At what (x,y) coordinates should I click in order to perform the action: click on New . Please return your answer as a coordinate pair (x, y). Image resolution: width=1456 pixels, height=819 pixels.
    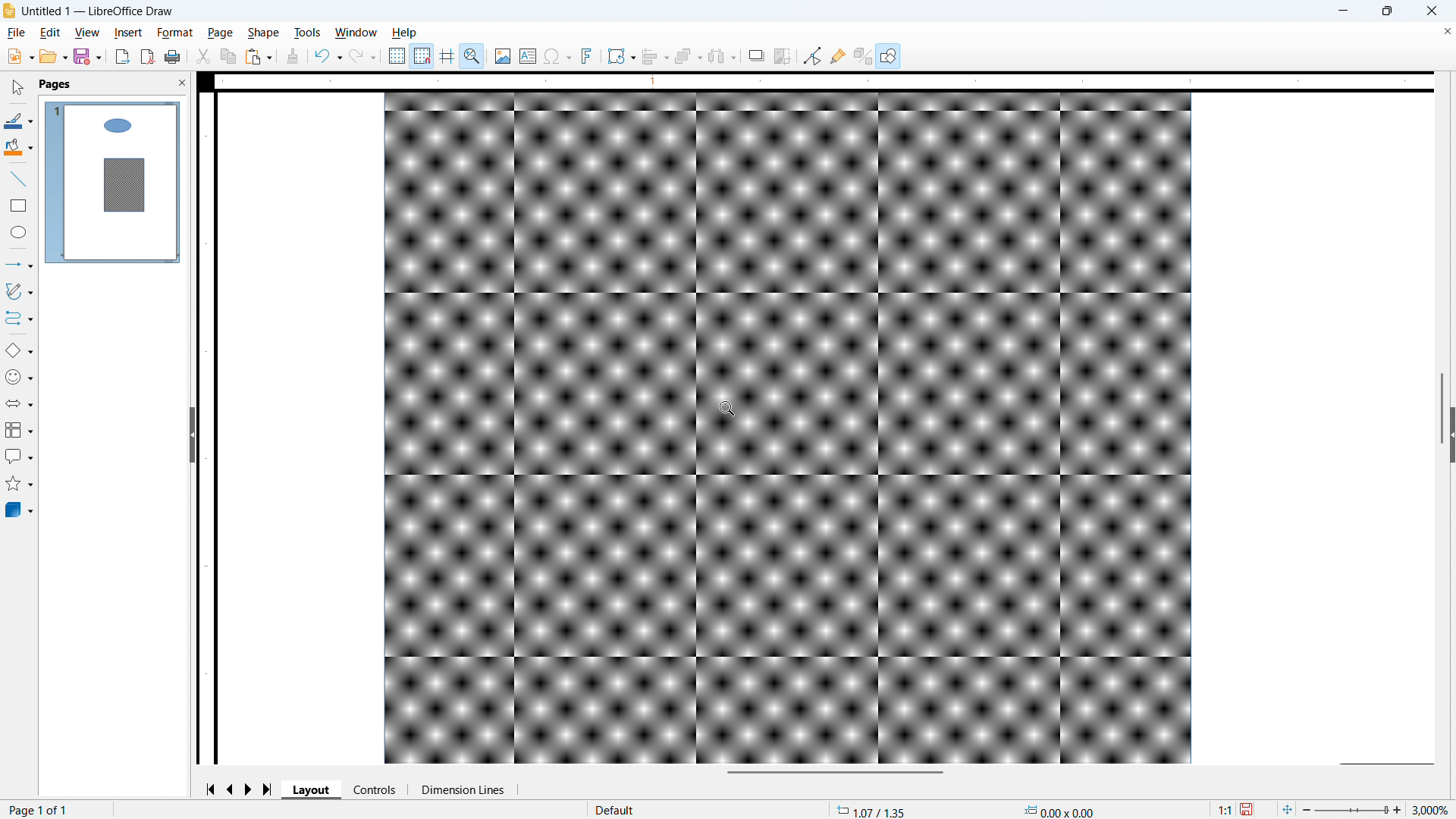
    Looking at the image, I should click on (19, 57).